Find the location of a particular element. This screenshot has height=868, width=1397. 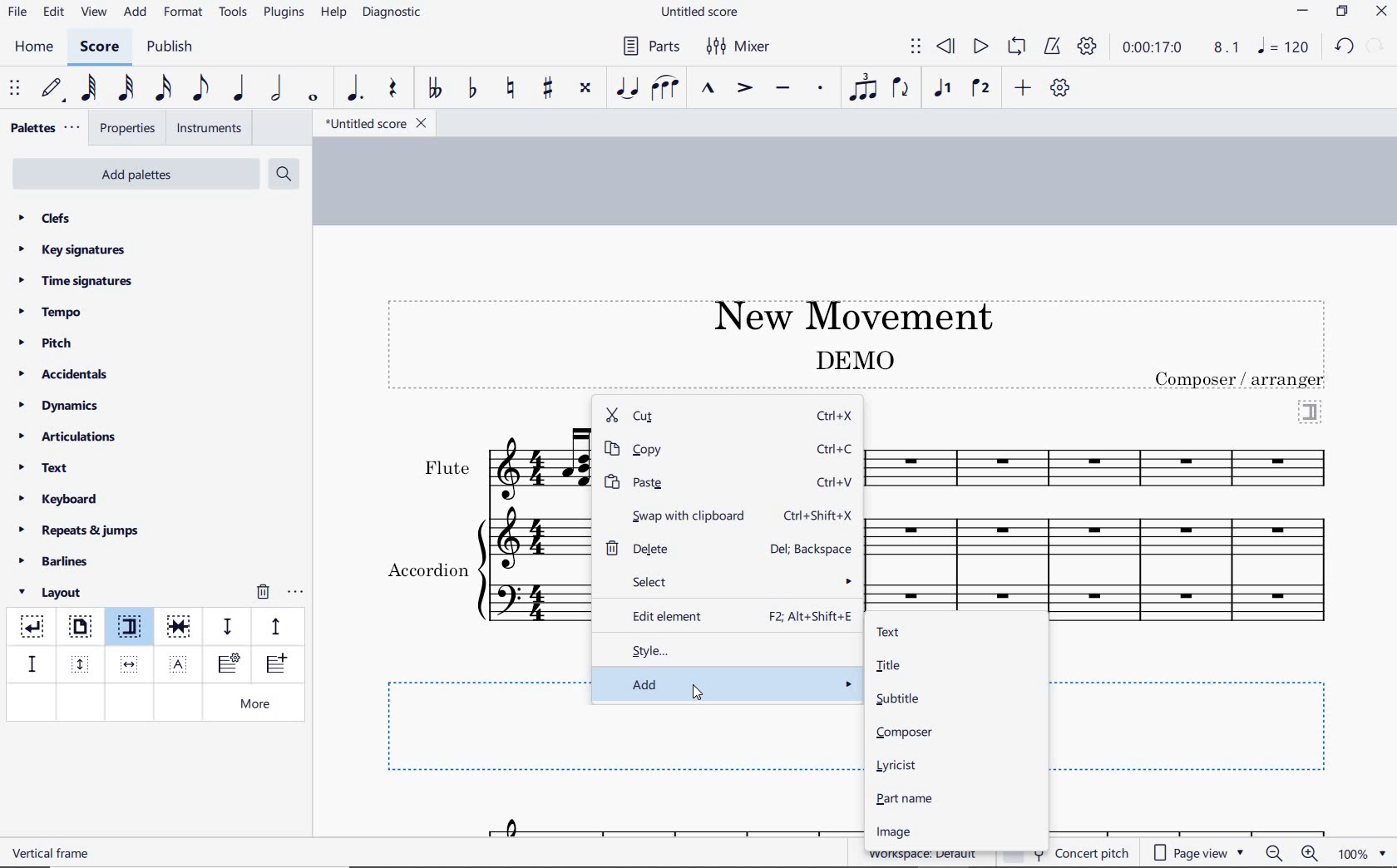

insert staff type change is located at coordinates (229, 664).